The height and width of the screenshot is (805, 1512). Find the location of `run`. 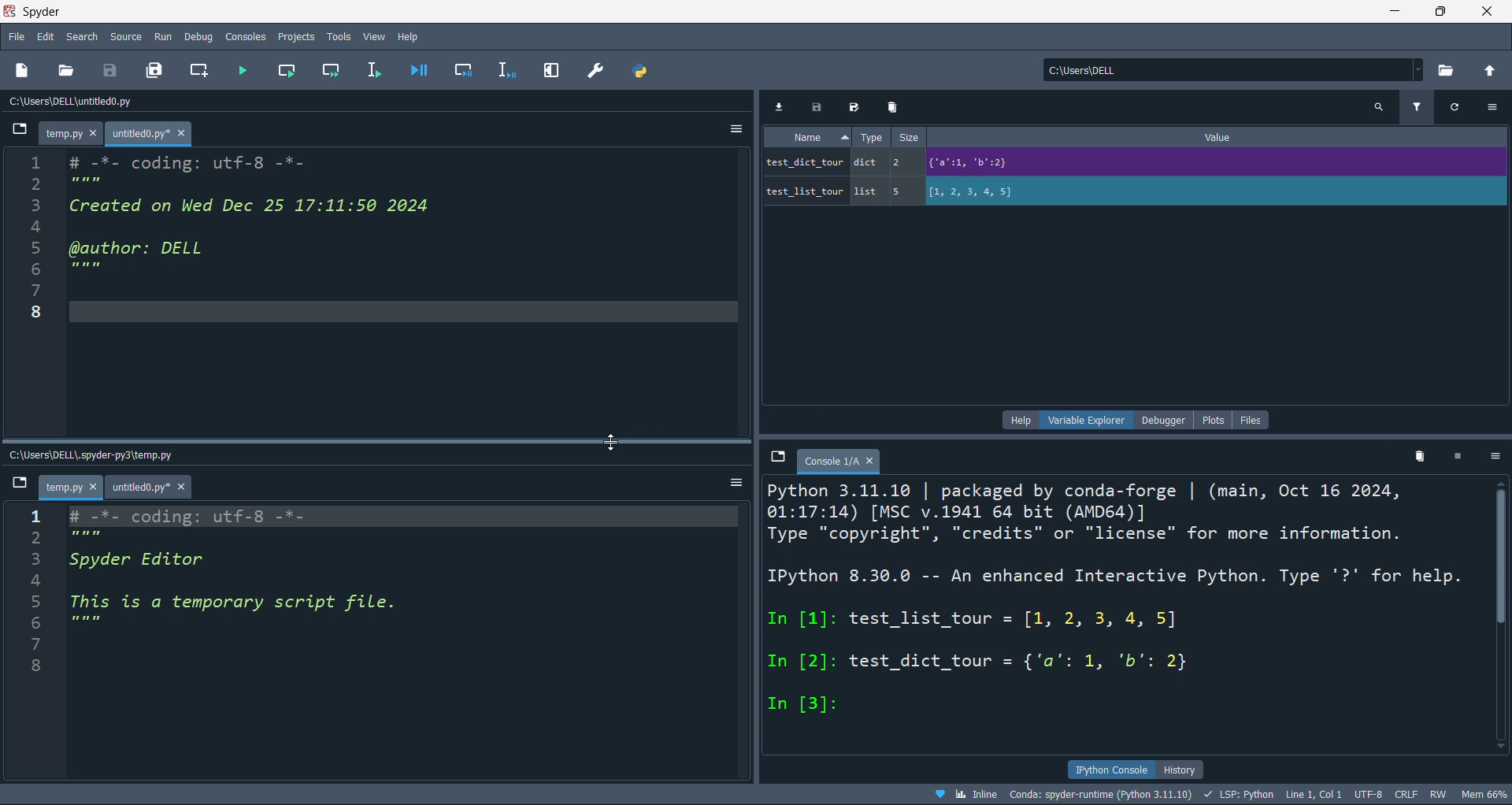

run is located at coordinates (162, 36).